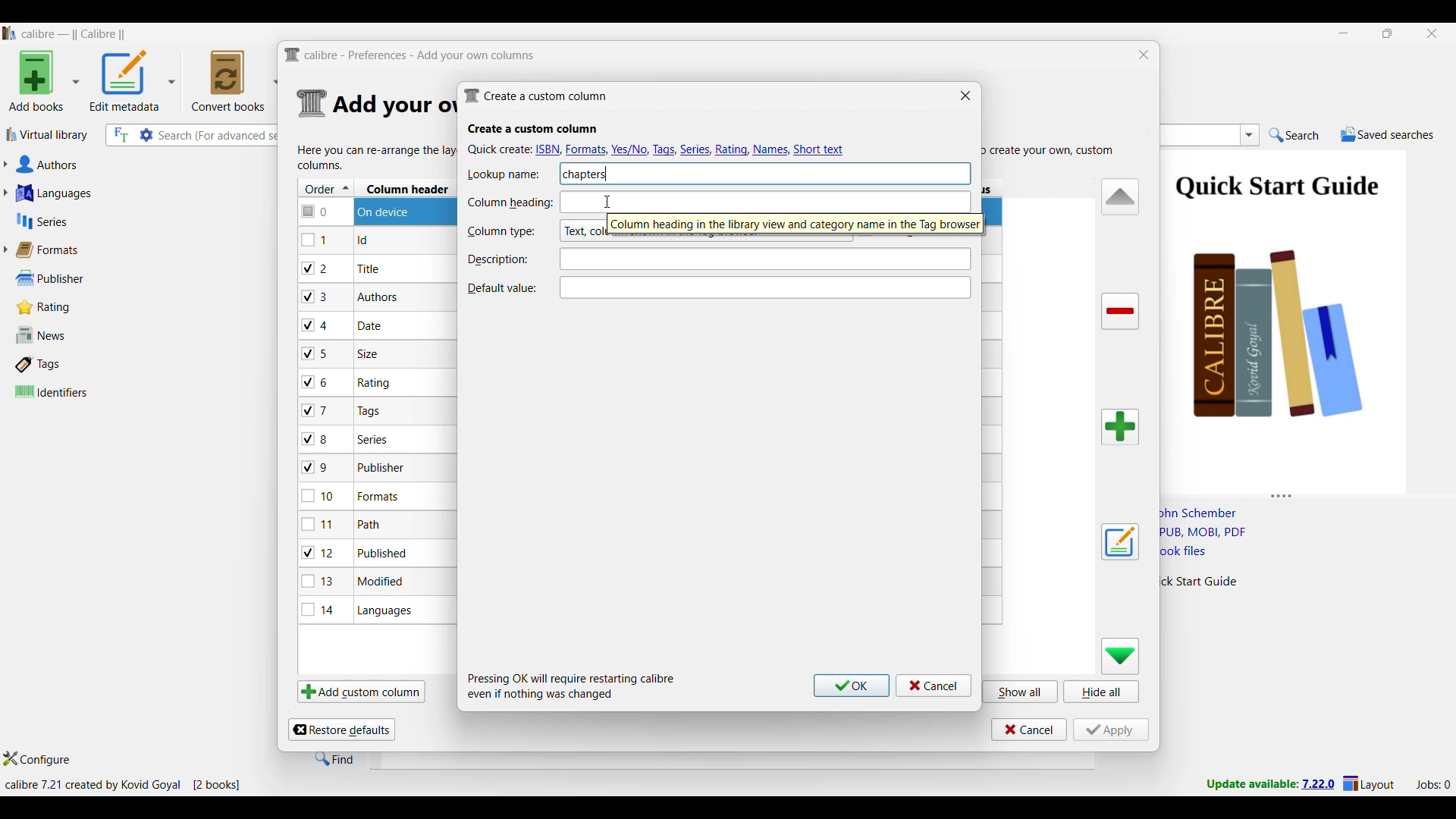  Describe the element at coordinates (235, 80) in the screenshot. I see `Convert books options` at that location.